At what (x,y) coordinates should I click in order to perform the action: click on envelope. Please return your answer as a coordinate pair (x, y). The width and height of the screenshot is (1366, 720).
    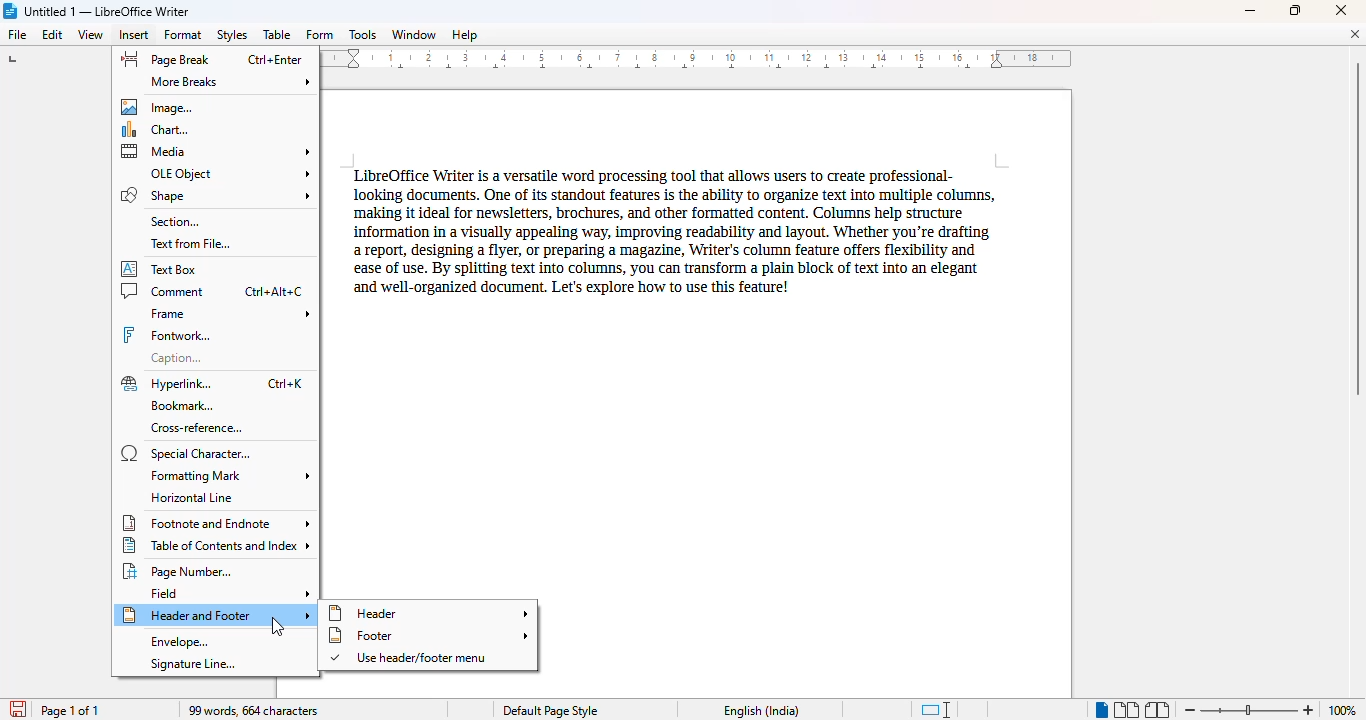
    Looking at the image, I should click on (179, 642).